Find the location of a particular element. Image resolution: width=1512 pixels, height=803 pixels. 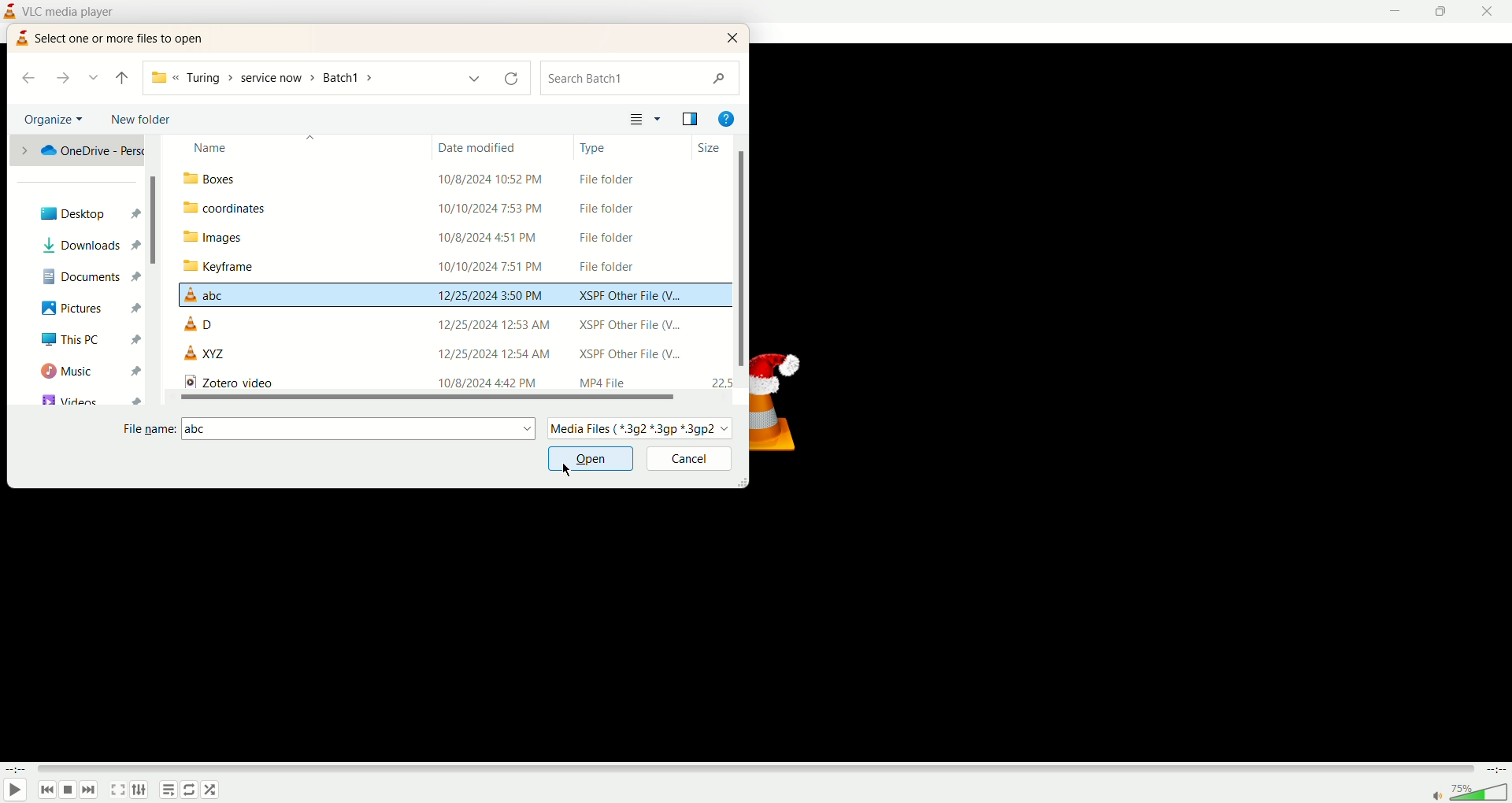

recent location is located at coordinates (94, 77).